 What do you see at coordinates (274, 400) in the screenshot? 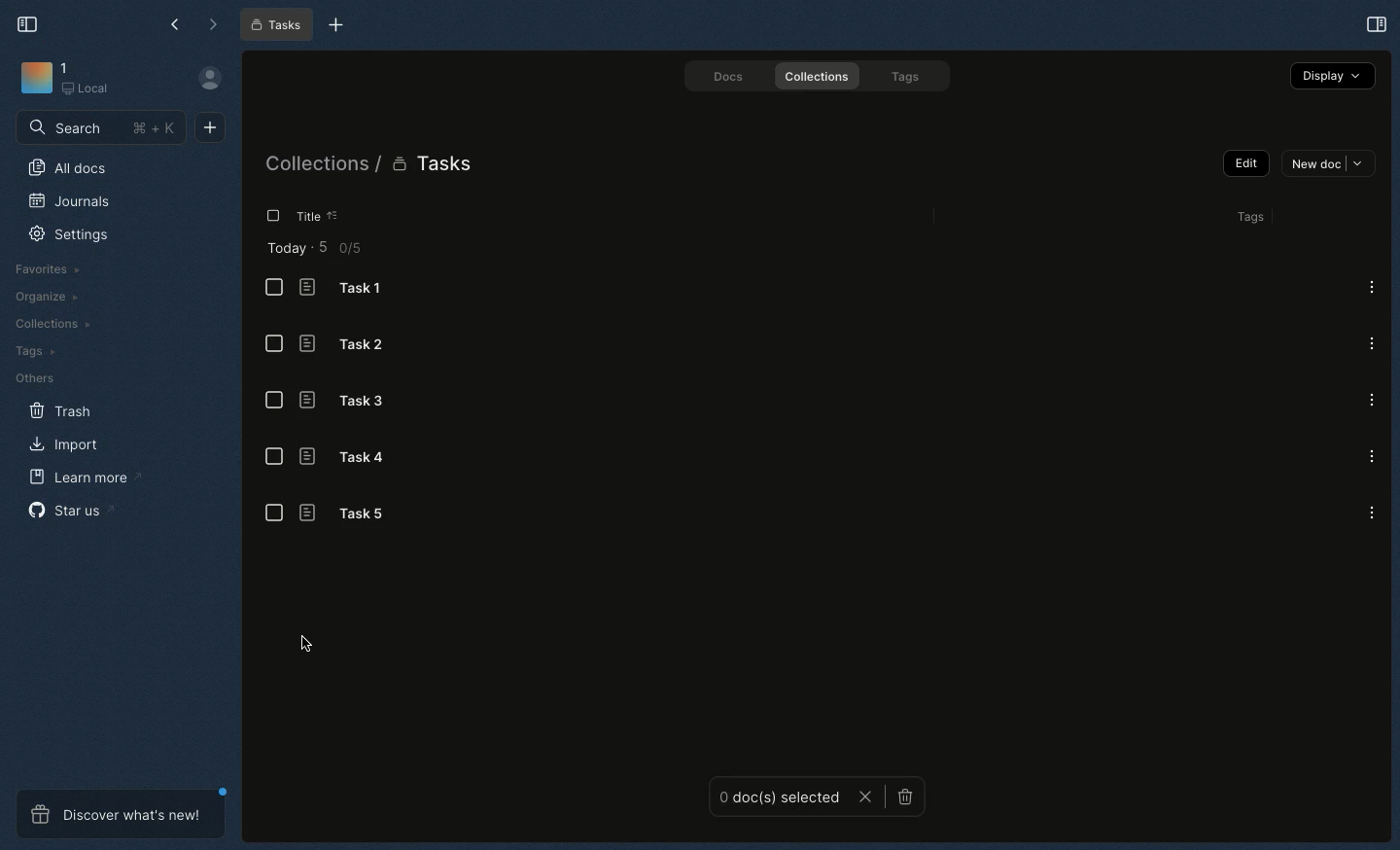
I see `List view` at bounding box center [274, 400].